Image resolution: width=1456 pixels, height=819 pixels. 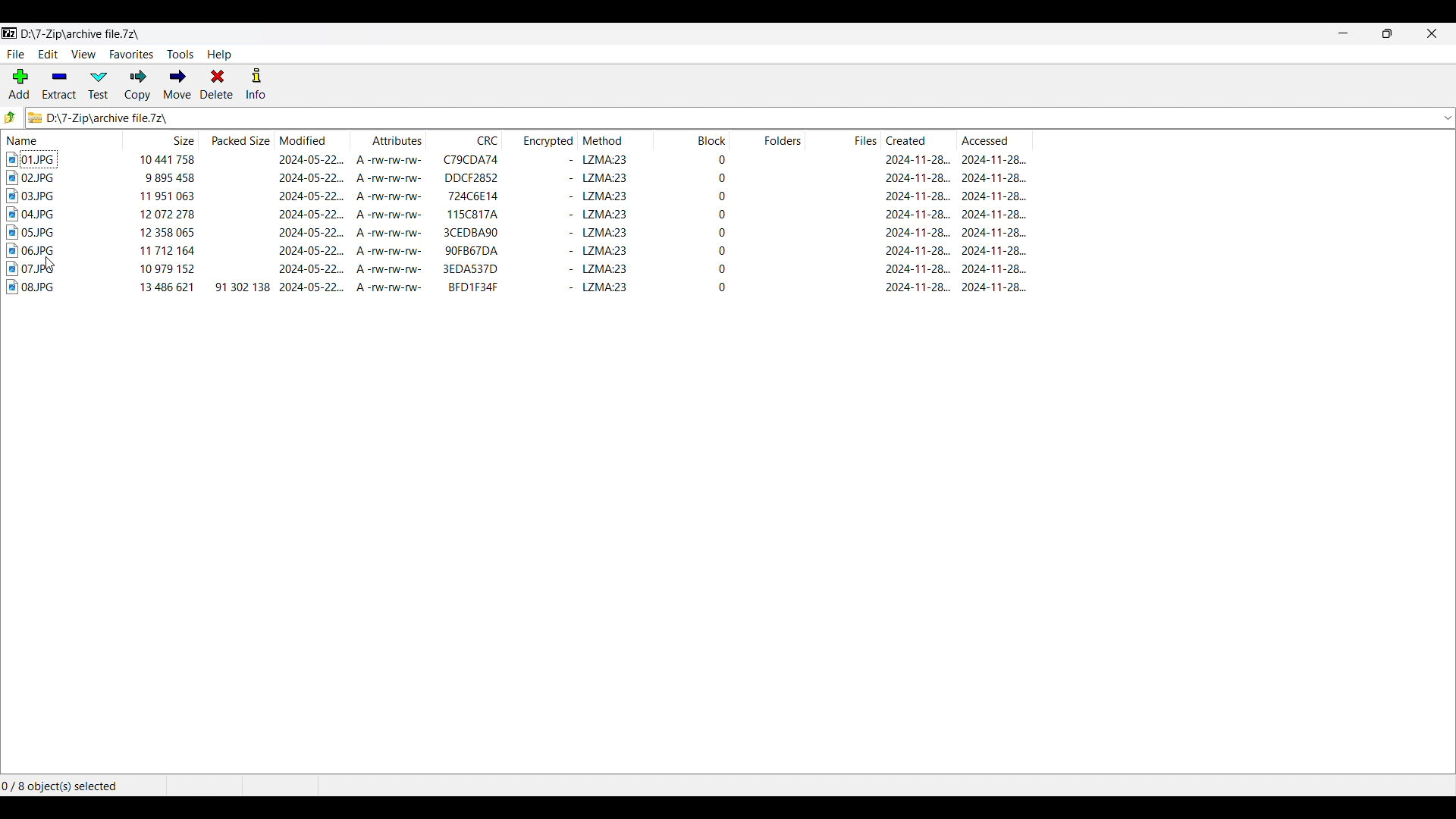 I want to click on accessed date & time, so click(x=995, y=268).